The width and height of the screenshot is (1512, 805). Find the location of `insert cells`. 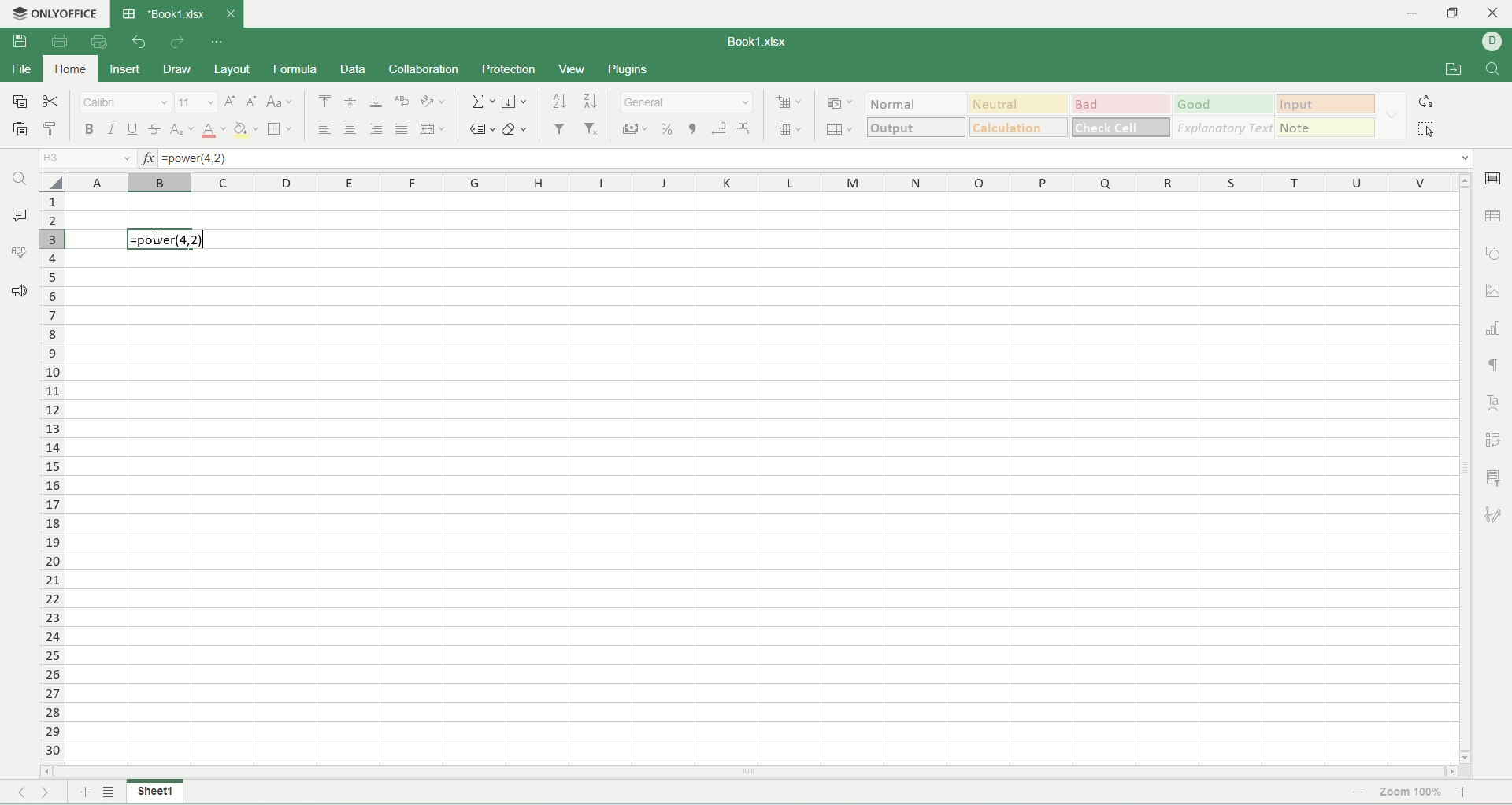

insert cells is located at coordinates (787, 103).